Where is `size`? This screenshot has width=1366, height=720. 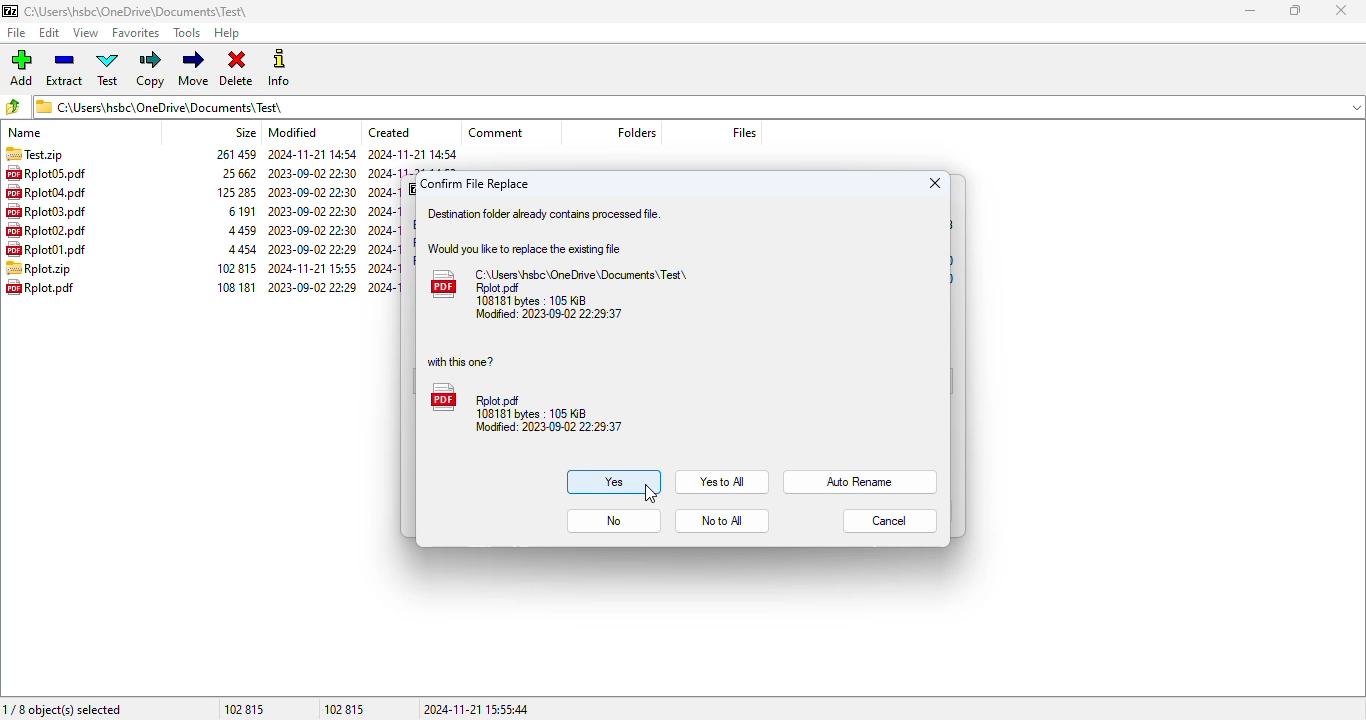
size is located at coordinates (234, 221).